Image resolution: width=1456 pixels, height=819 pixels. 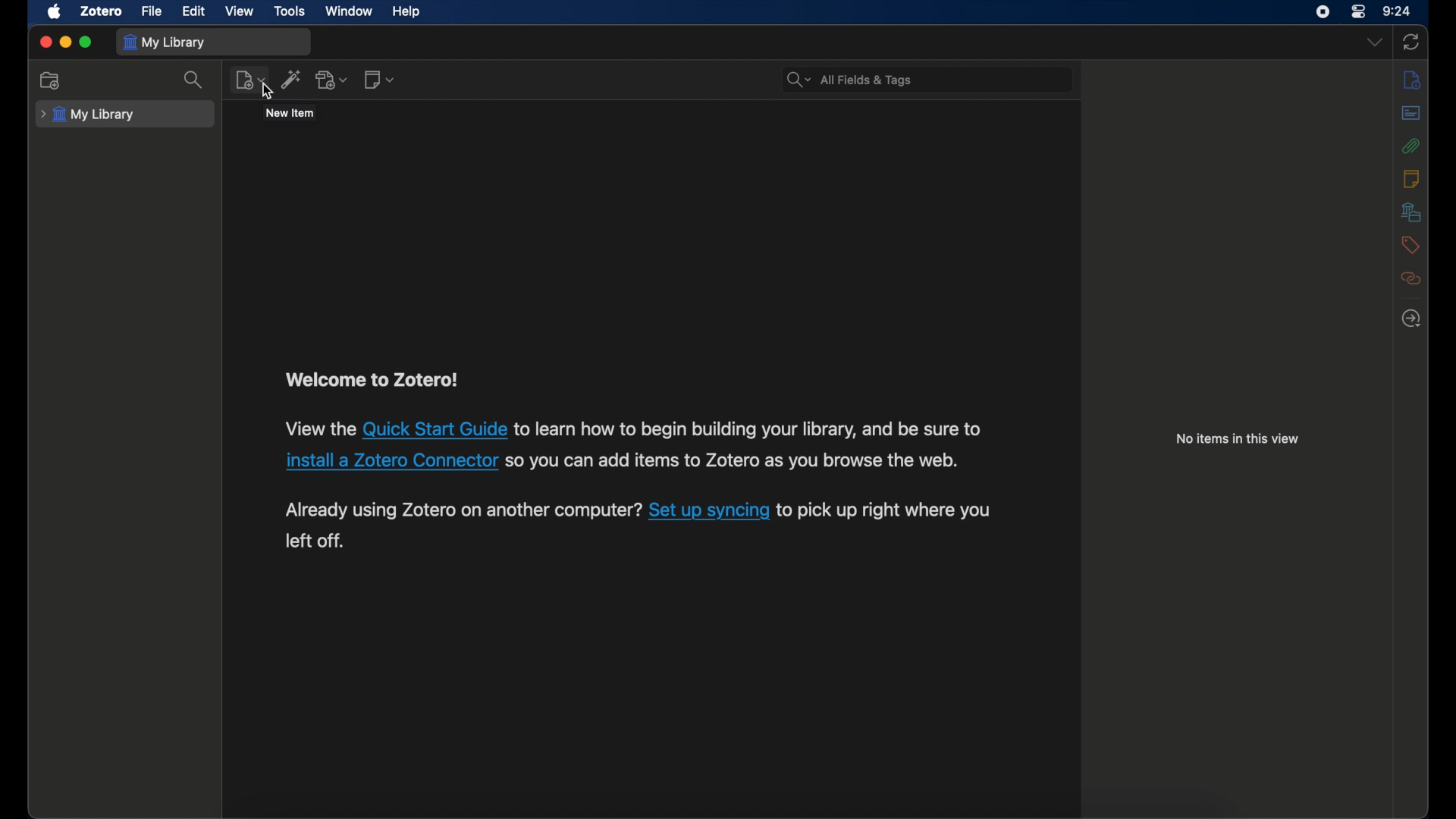 What do you see at coordinates (1410, 213) in the screenshot?
I see `libraries` at bounding box center [1410, 213].